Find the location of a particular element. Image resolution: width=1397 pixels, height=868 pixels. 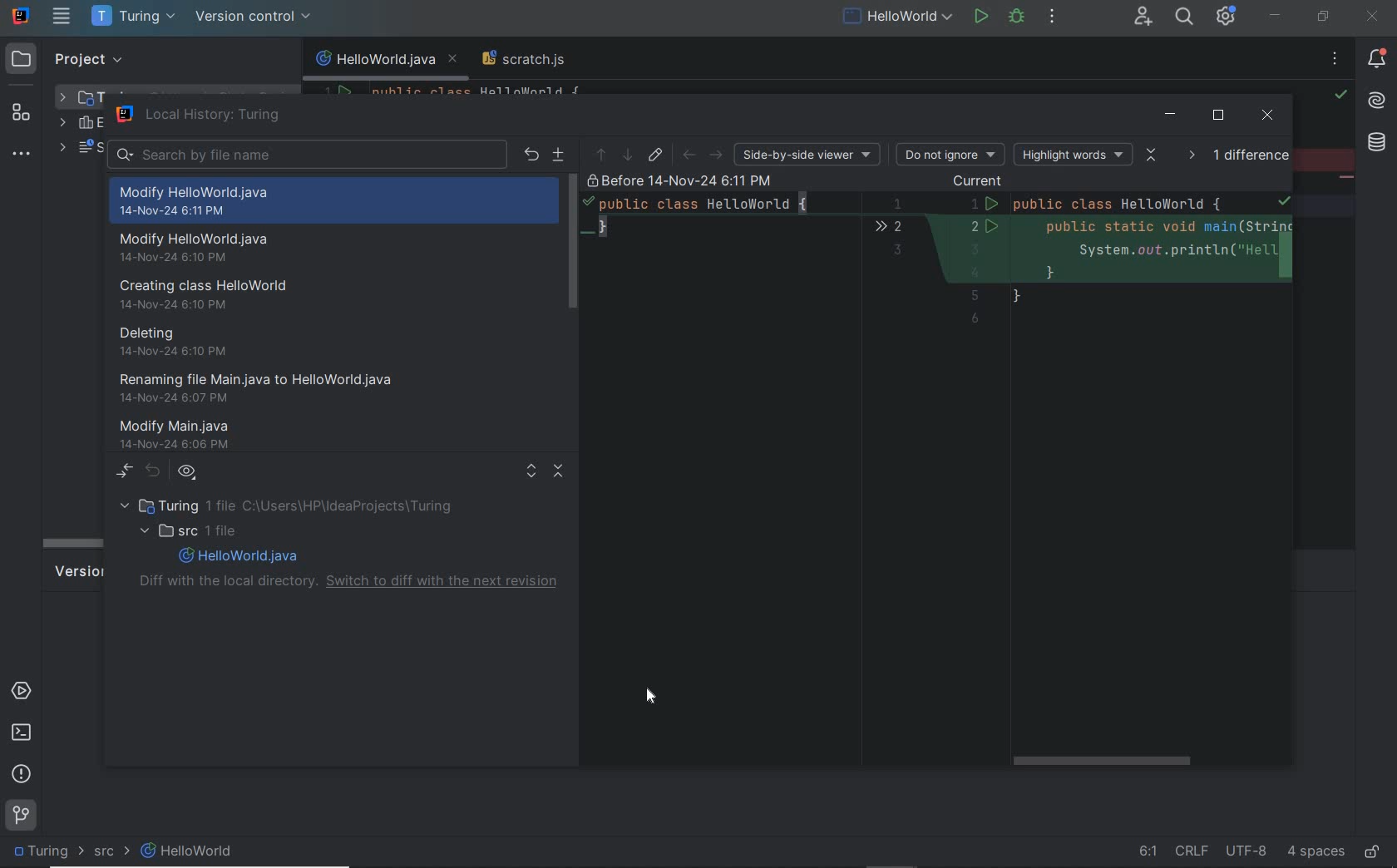

notifications is located at coordinates (1378, 62).